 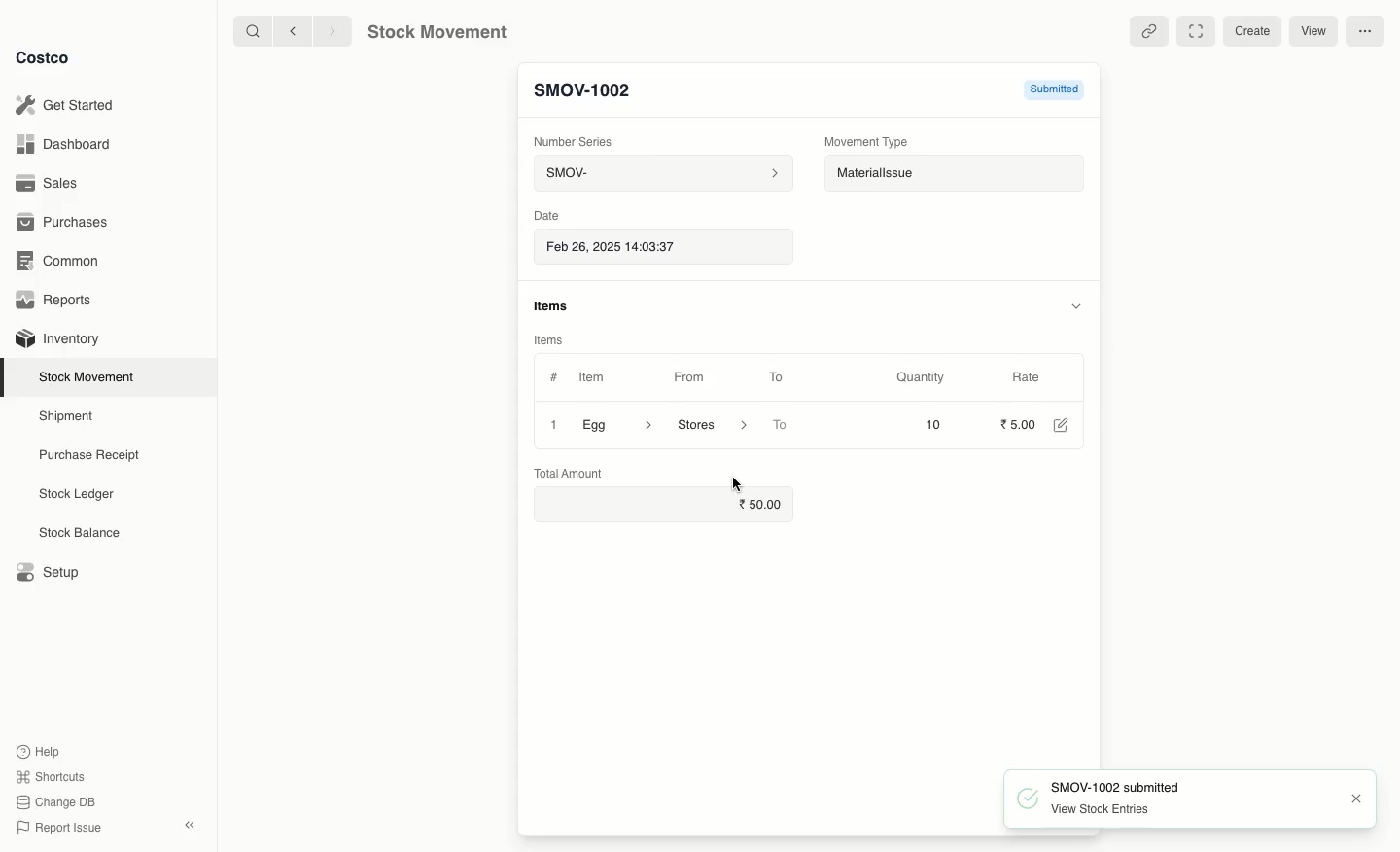 I want to click on More options, so click(x=1370, y=28).